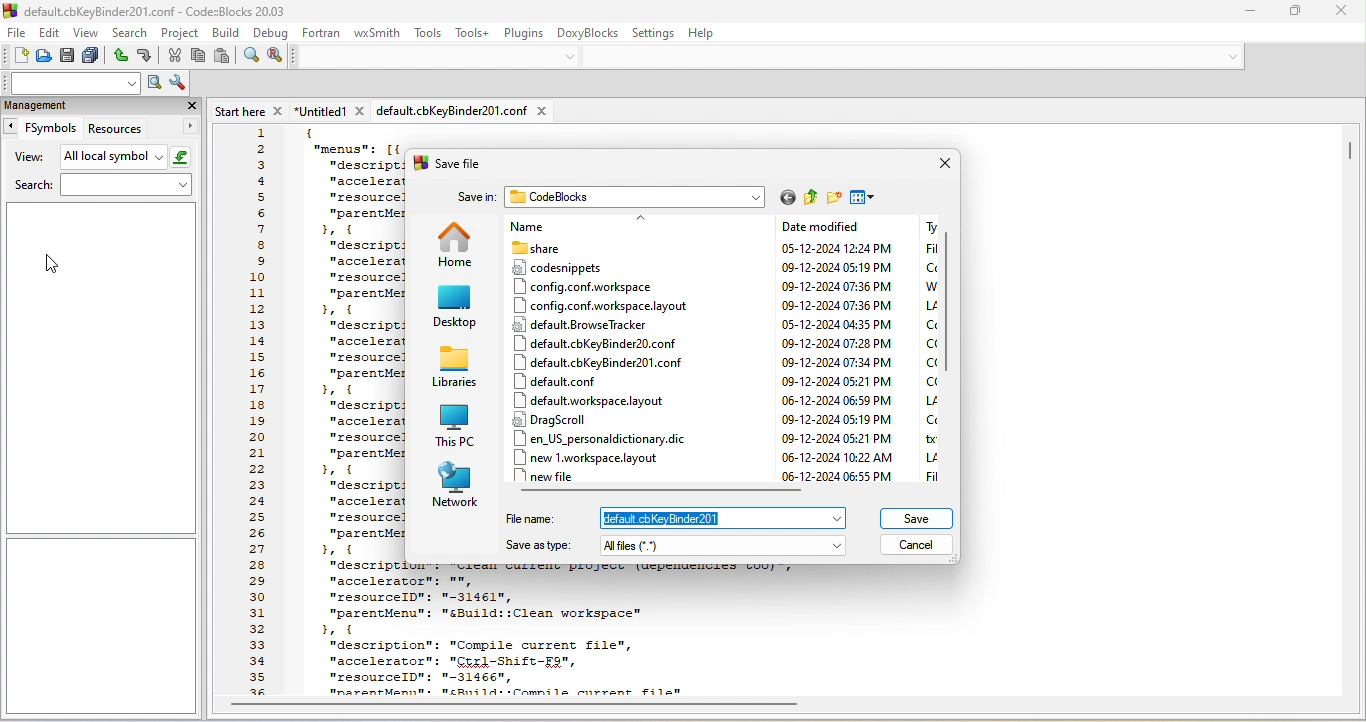  I want to click on cut, so click(173, 55).